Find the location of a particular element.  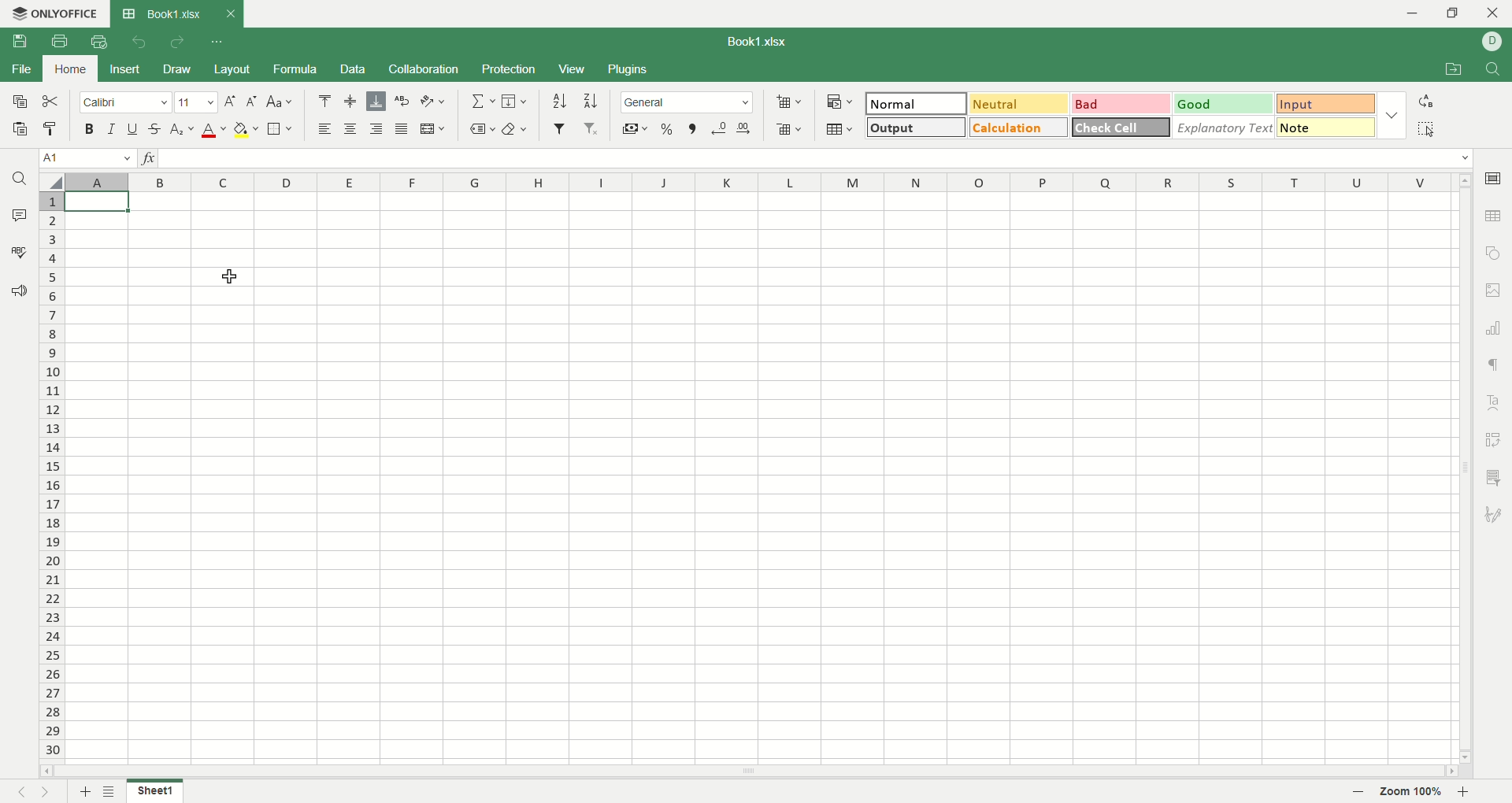

zoom factor is located at coordinates (1415, 792).